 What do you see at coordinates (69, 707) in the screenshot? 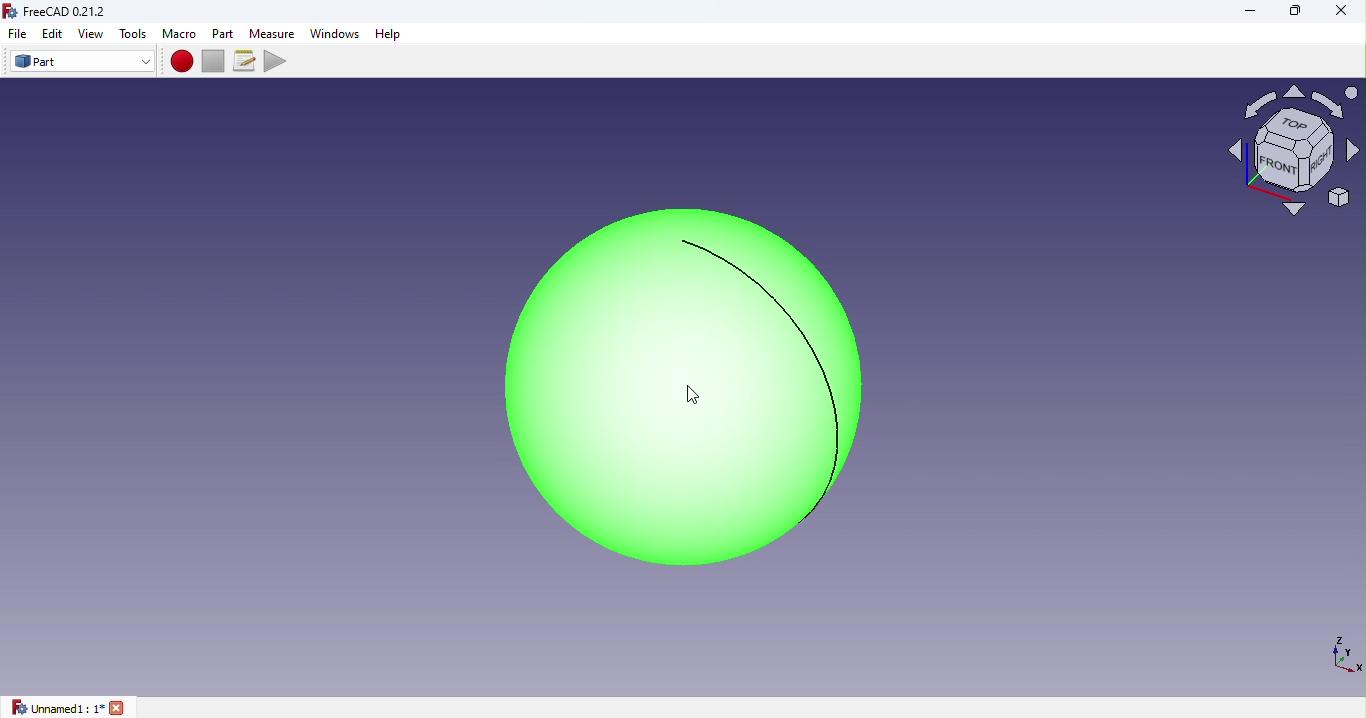
I see `Unnamed: 1*` at bounding box center [69, 707].